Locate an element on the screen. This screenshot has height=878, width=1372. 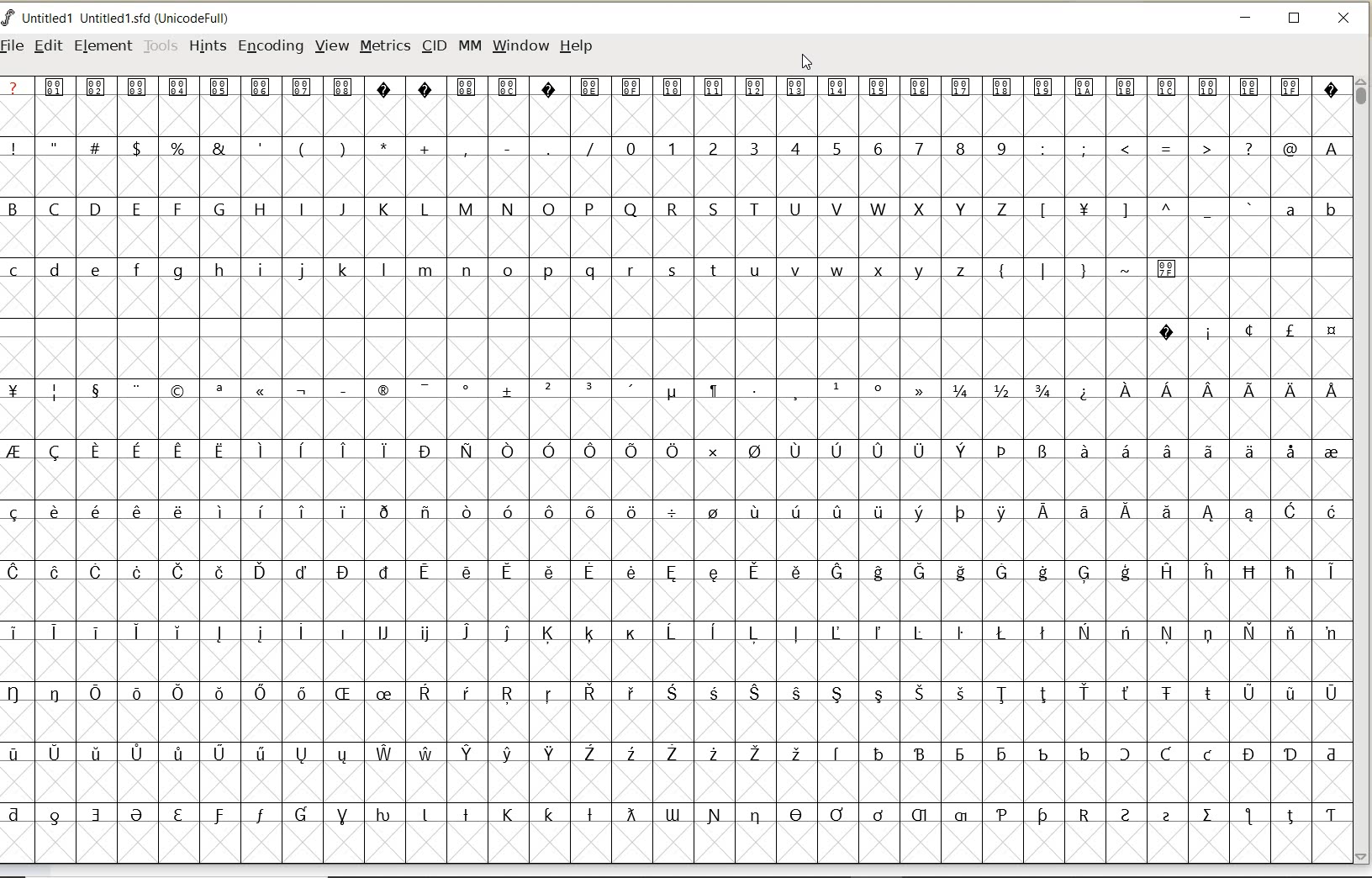
special characters is located at coordinates (673, 601).